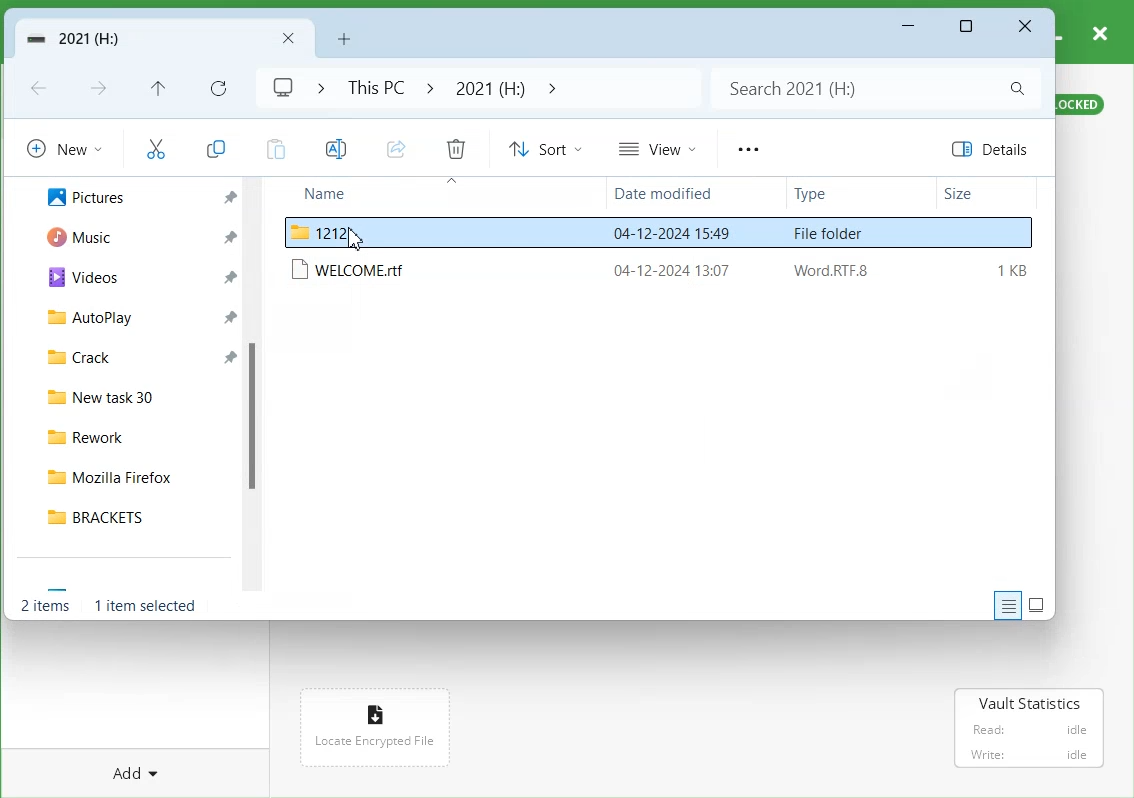  I want to click on Drop down box, so click(430, 87).